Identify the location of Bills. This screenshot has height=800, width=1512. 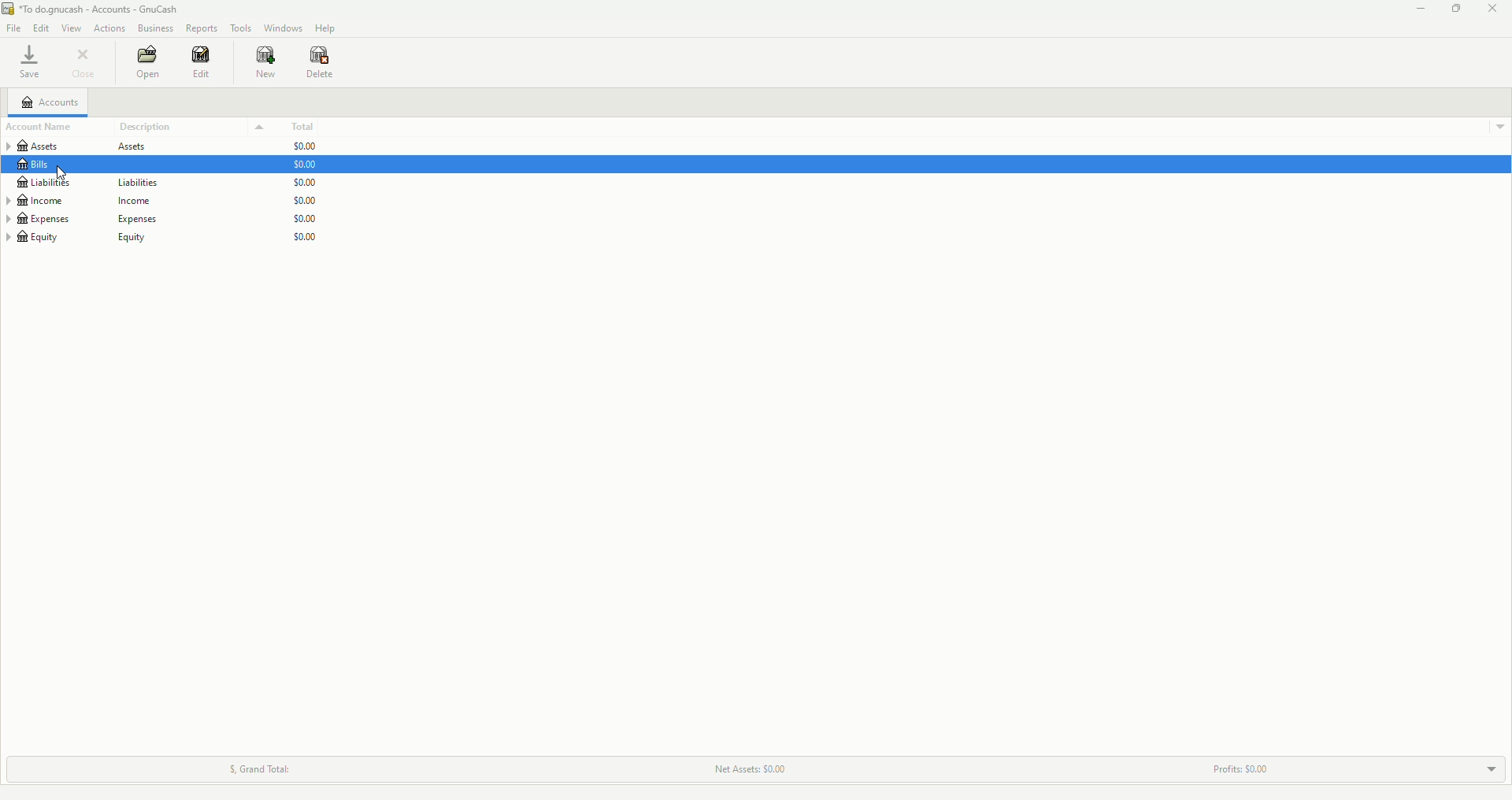
(37, 165).